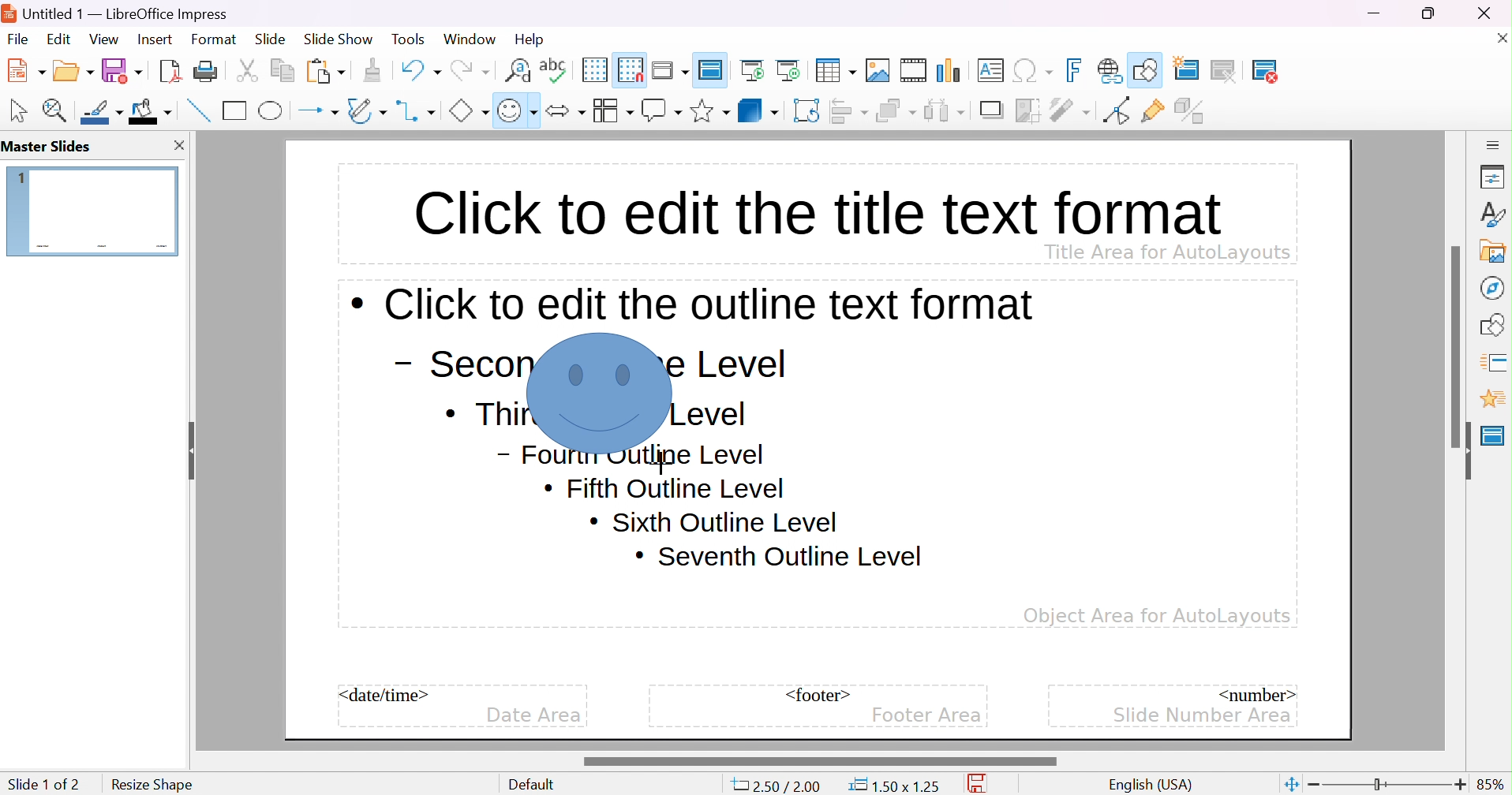 This screenshot has width=1512, height=795. What do you see at coordinates (1029, 110) in the screenshot?
I see `crop image` at bounding box center [1029, 110].